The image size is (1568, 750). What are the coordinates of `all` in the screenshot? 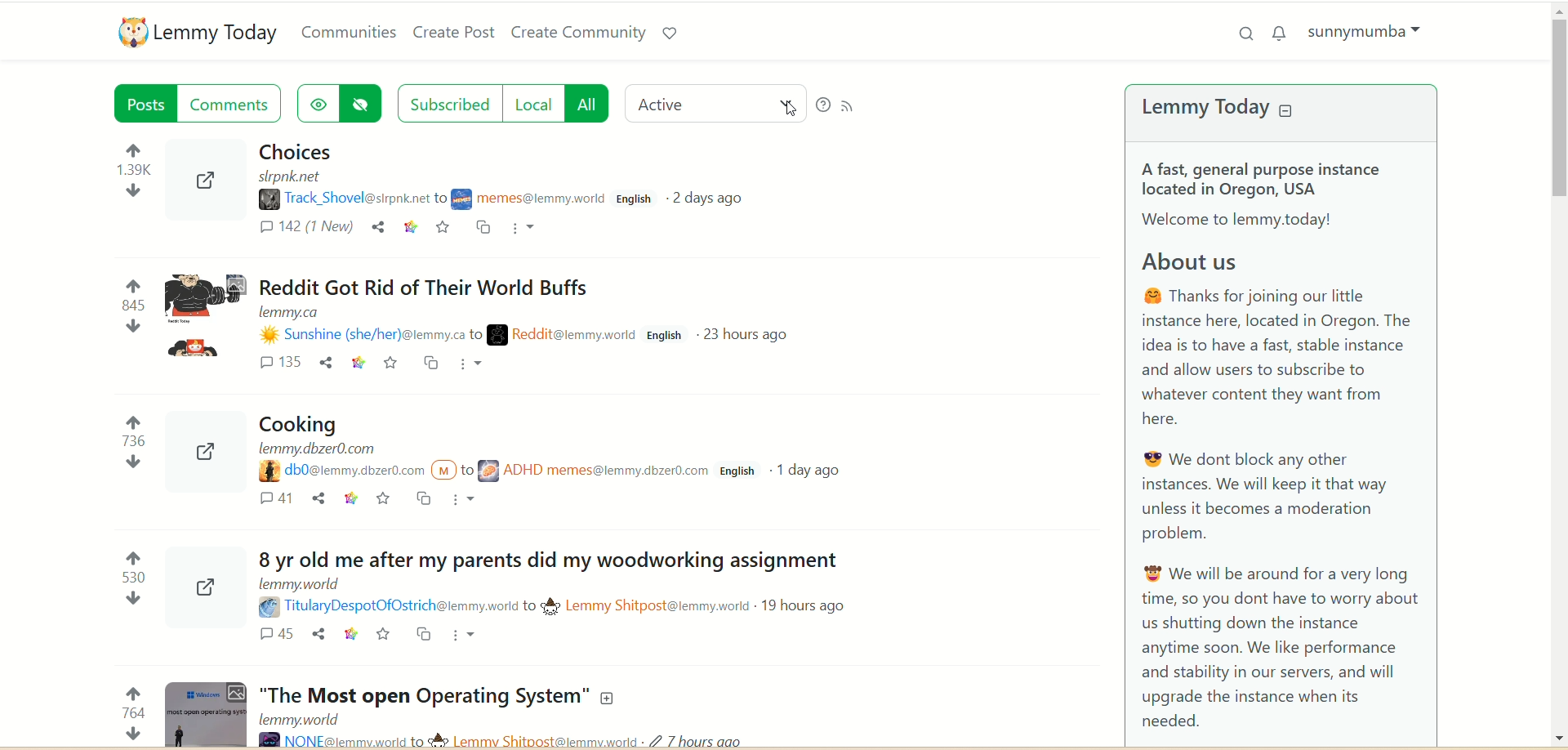 It's located at (595, 103).